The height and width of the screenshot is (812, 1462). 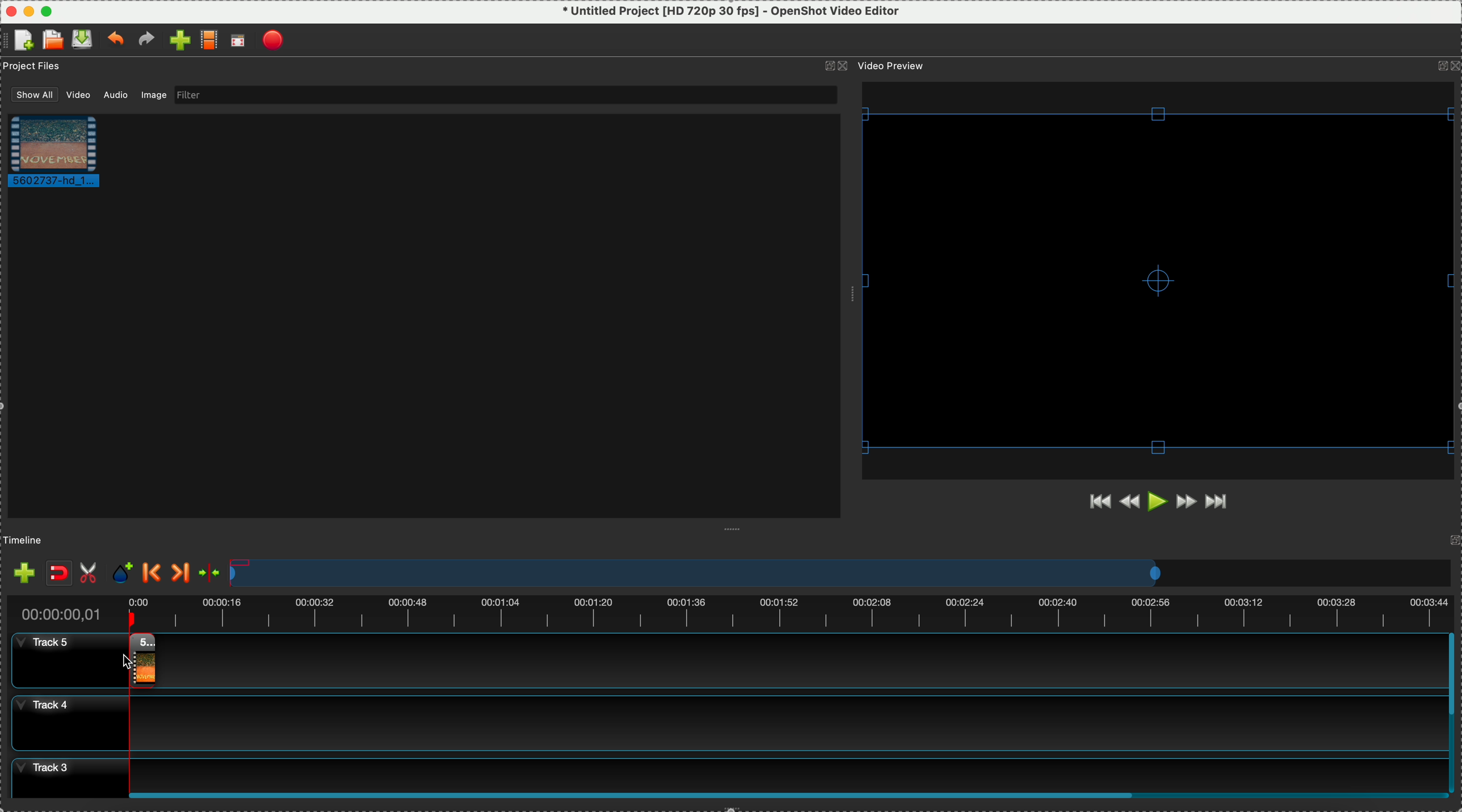 I want to click on icons, so click(x=835, y=66).